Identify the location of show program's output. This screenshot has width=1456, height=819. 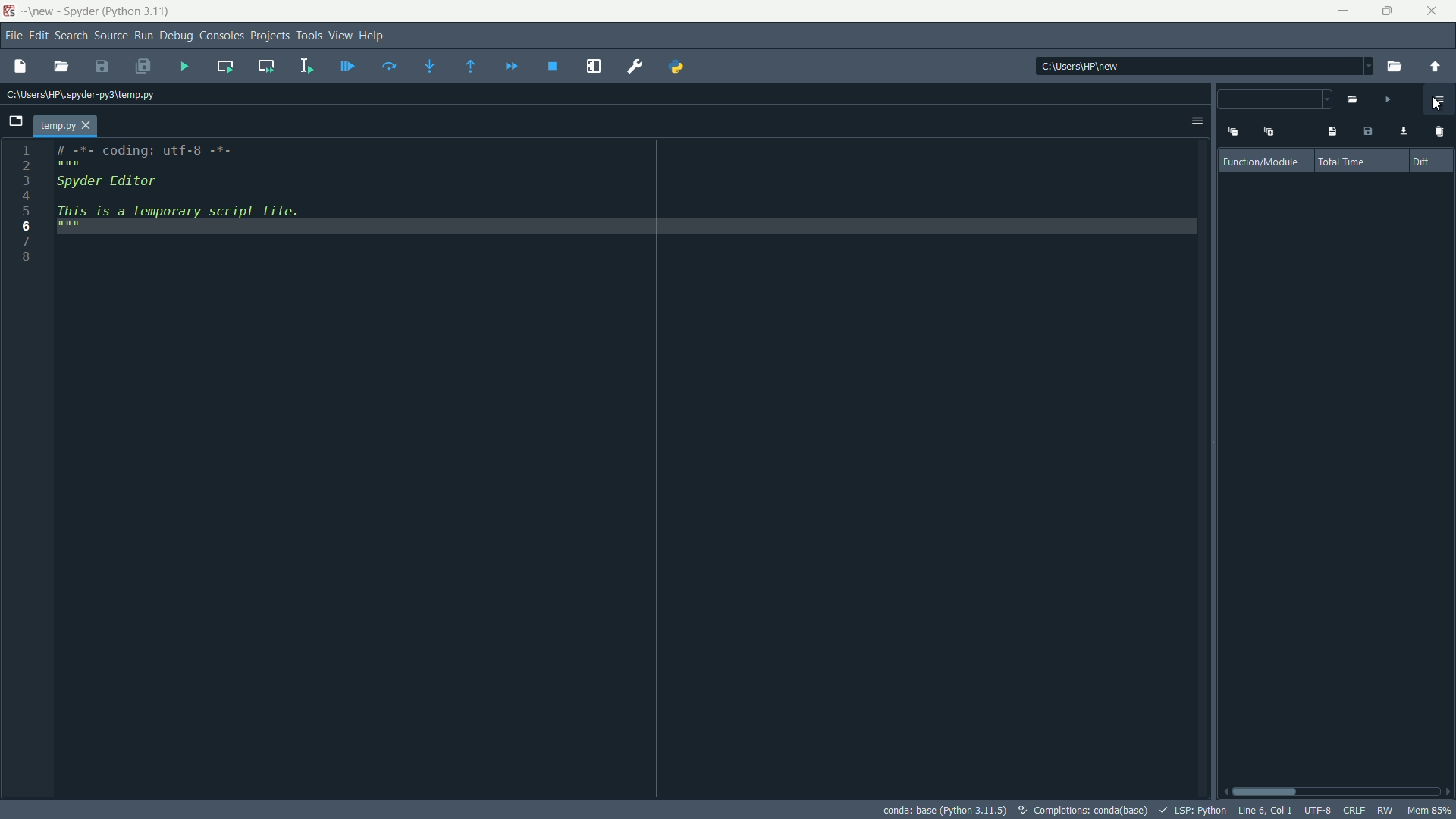
(1330, 132).